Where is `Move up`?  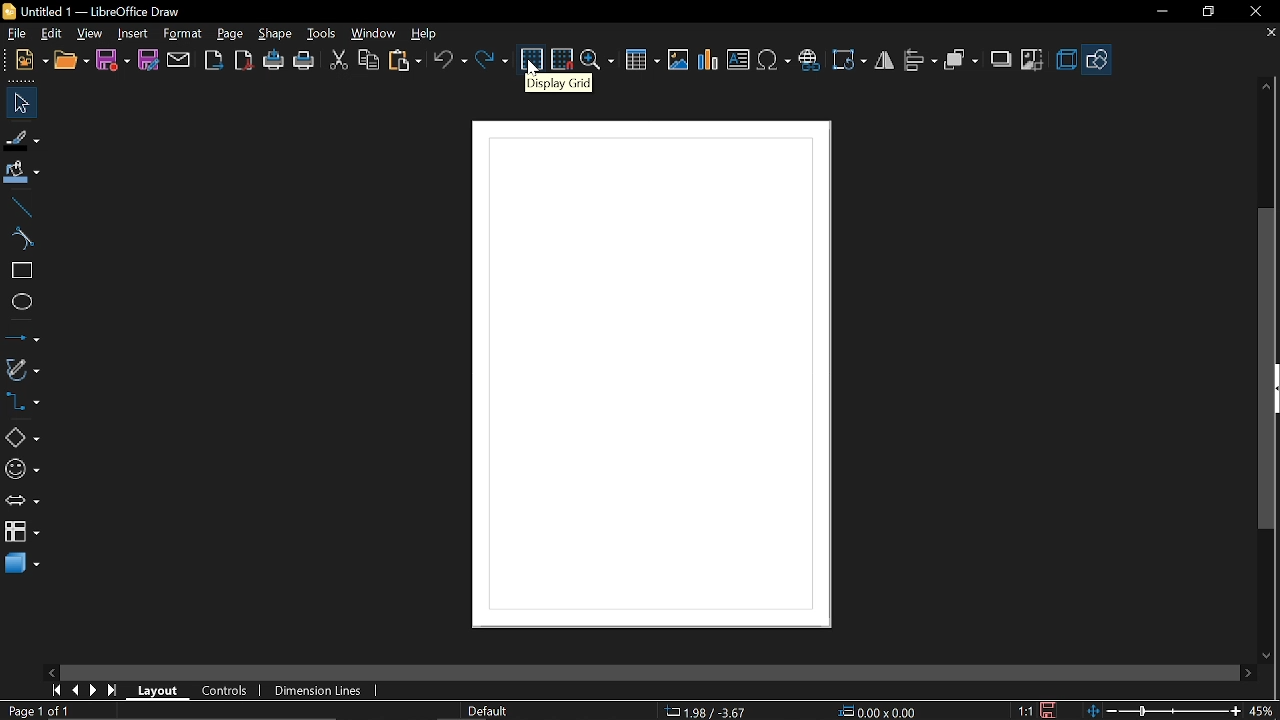
Move up is located at coordinates (1266, 87).